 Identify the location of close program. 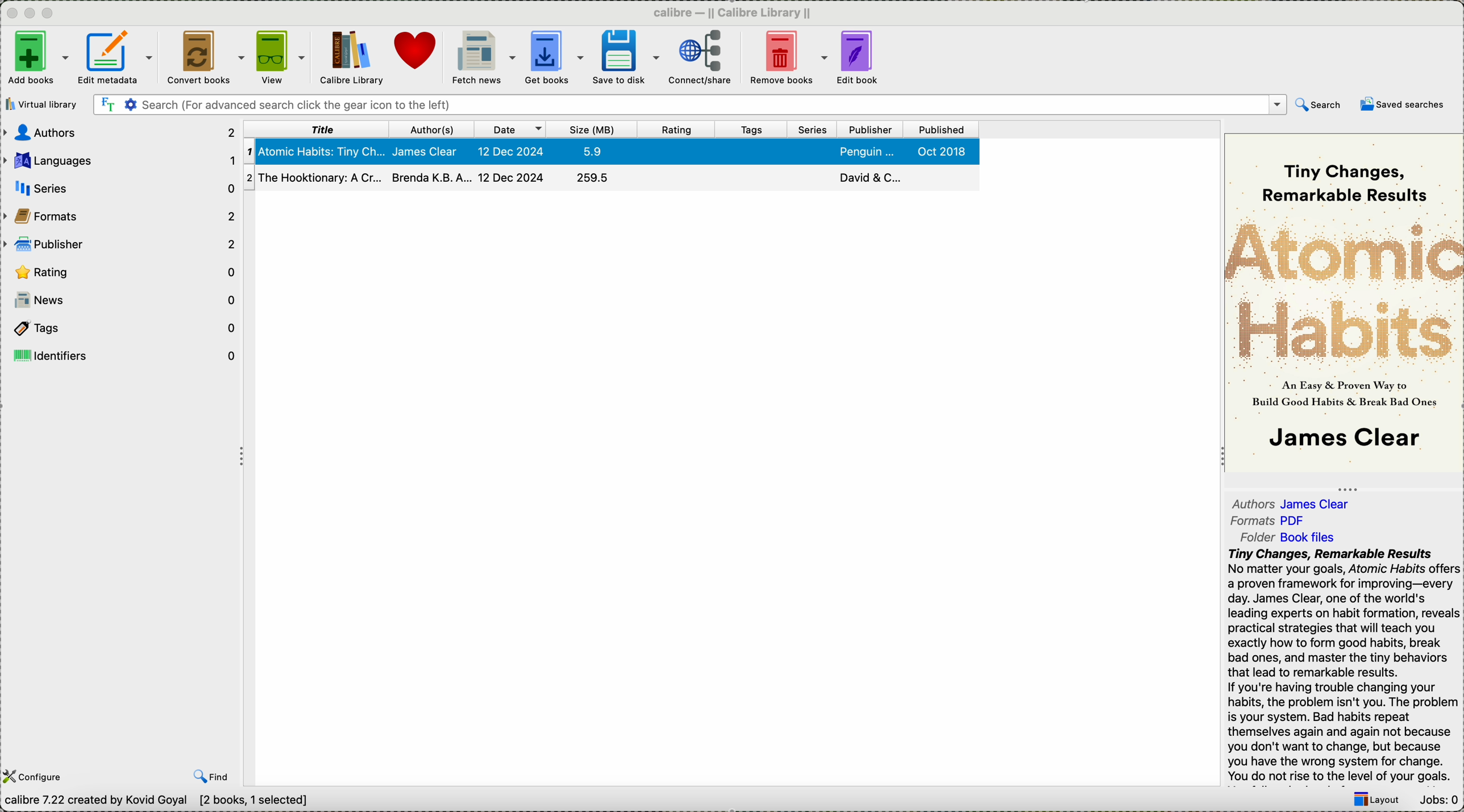
(9, 12).